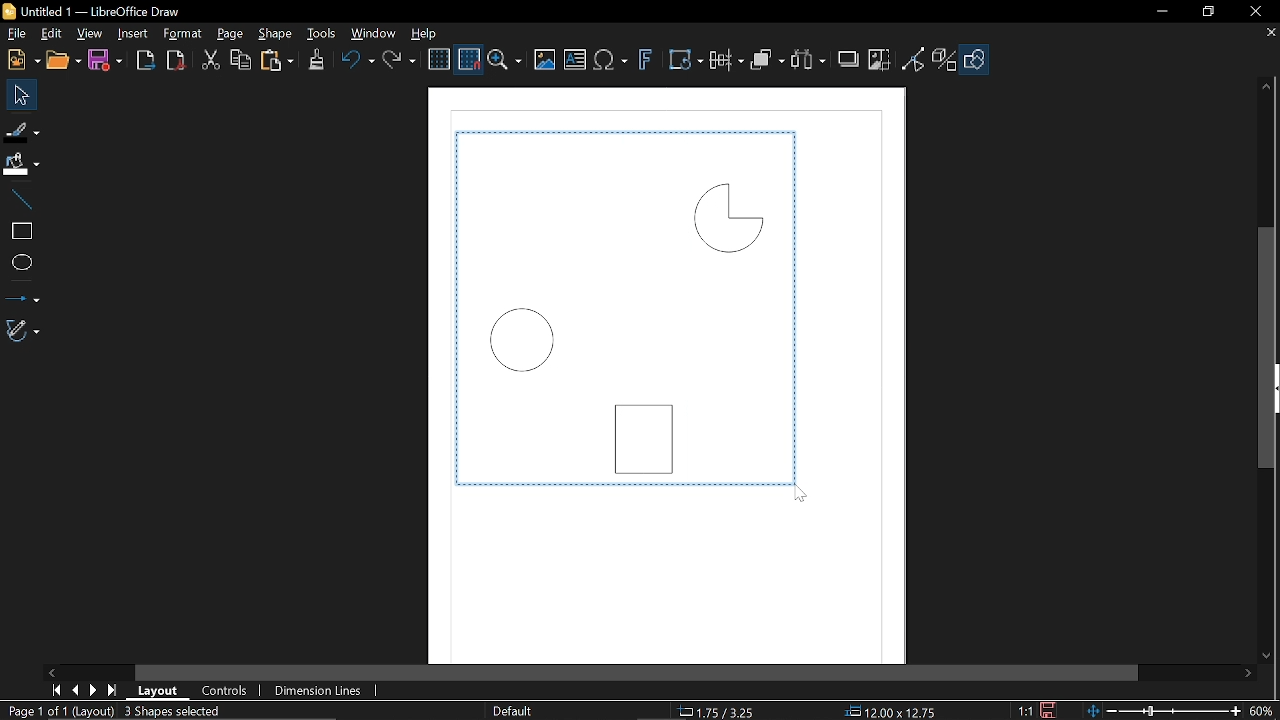 The height and width of the screenshot is (720, 1280). Describe the element at coordinates (21, 163) in the screenshot. I see `Fill color` at that location.